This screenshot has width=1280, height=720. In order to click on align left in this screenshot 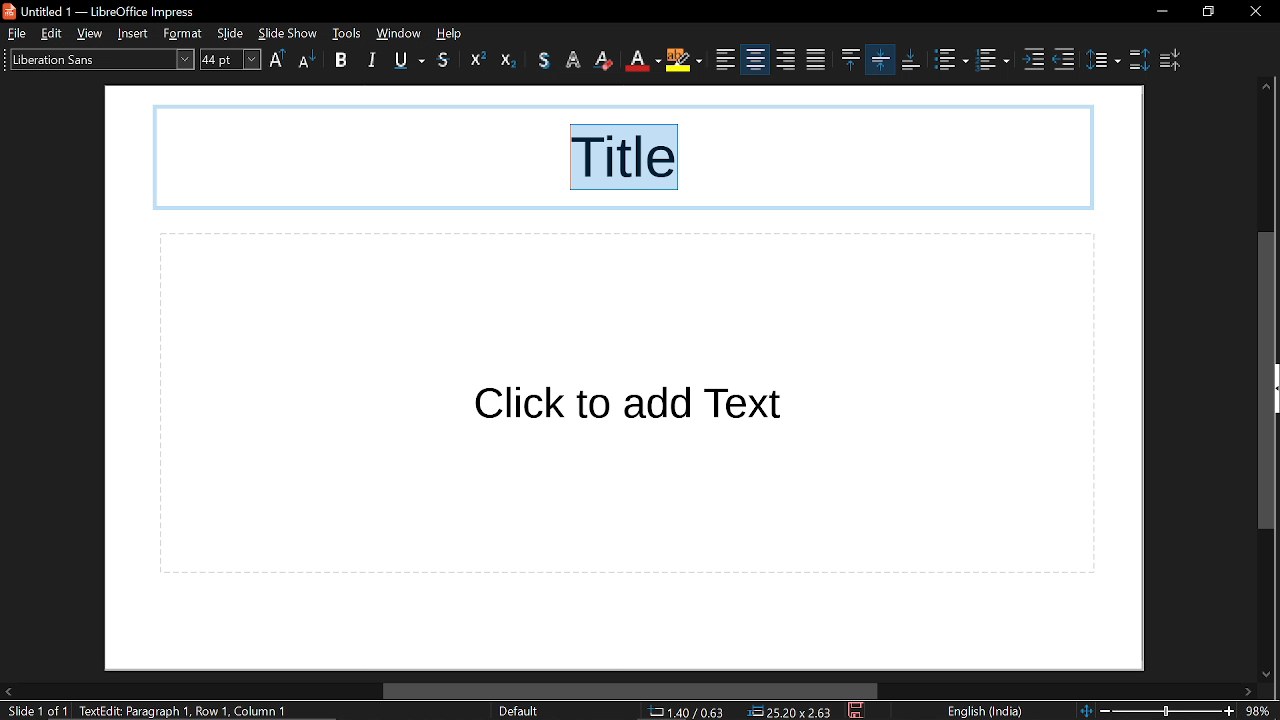, I will do `click(686, 61)`.